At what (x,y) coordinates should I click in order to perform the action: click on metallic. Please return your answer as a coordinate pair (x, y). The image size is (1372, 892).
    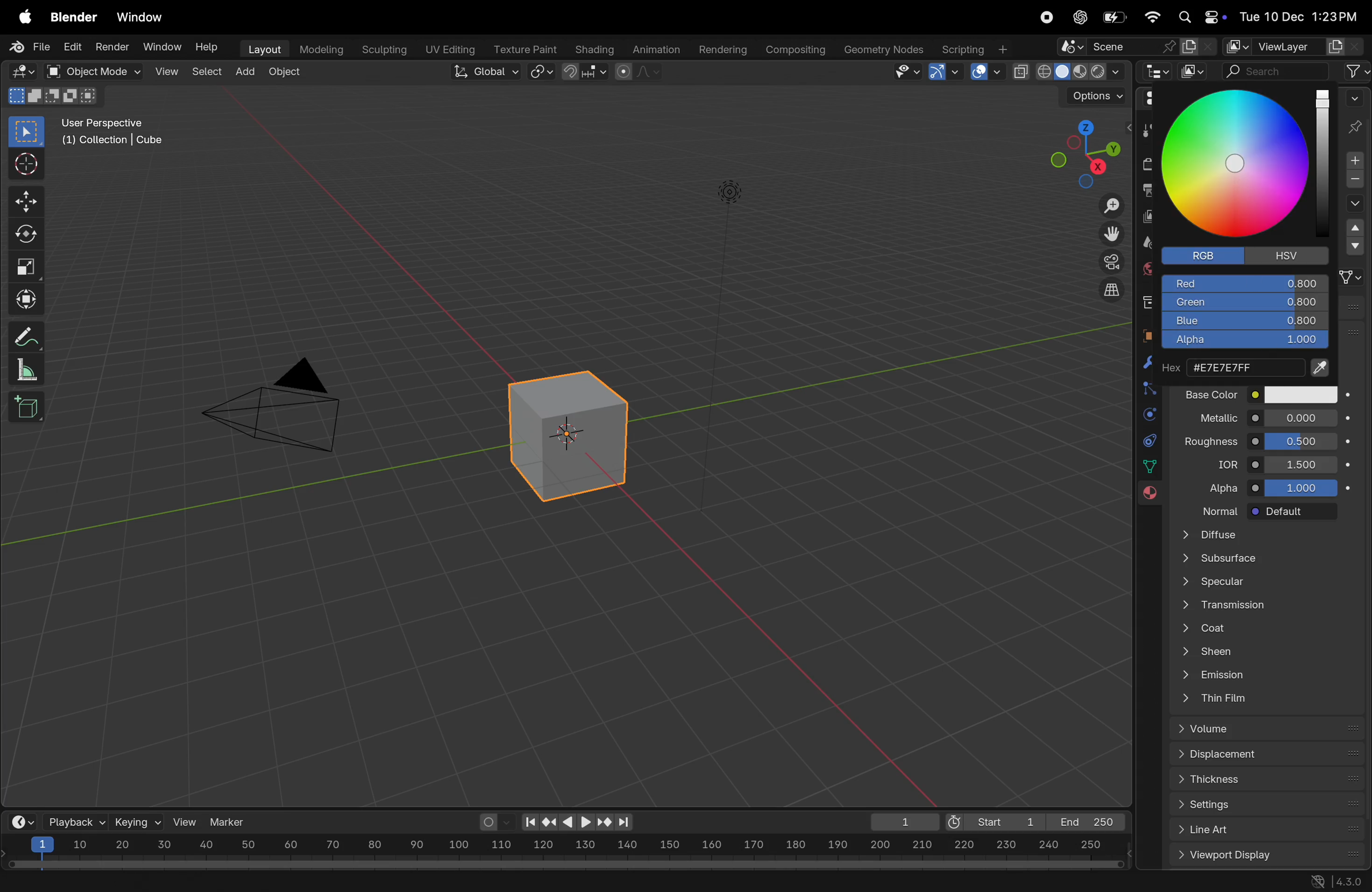
    Looking at the image, I should click on (1208, 416).